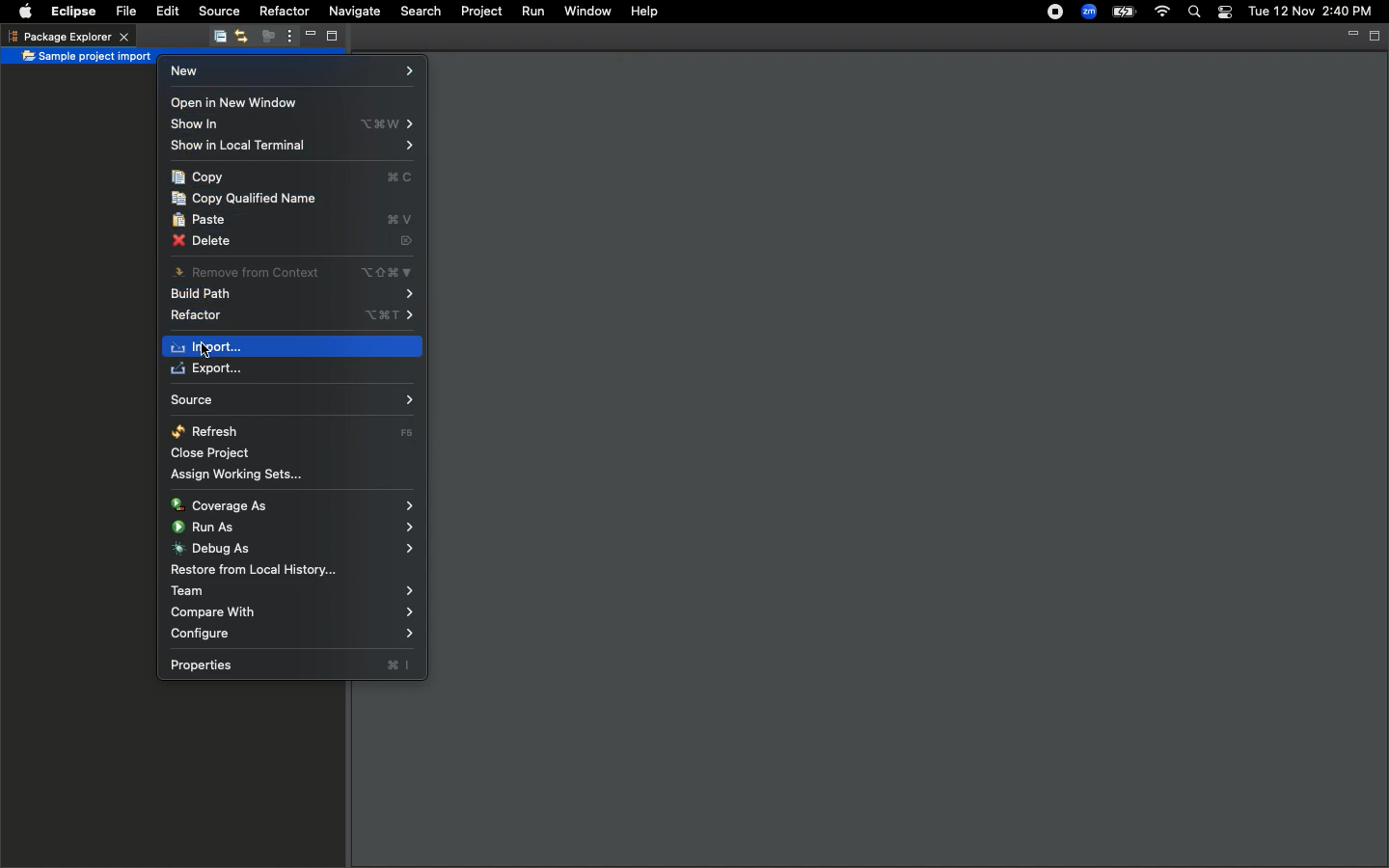  I want to click on Close project, so click(210, 452).